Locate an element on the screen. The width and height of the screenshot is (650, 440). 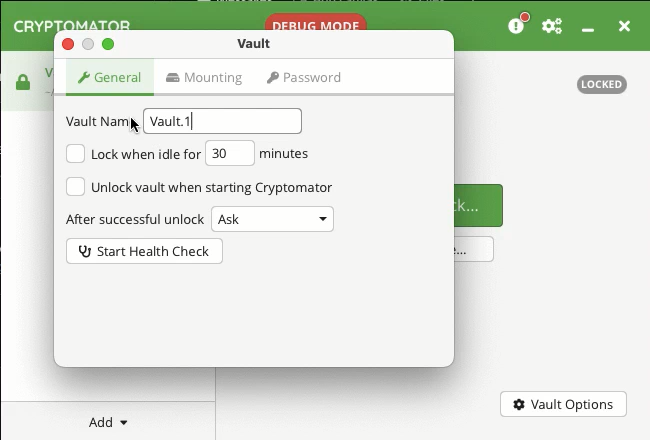
close is located at coordinates (67, 44).